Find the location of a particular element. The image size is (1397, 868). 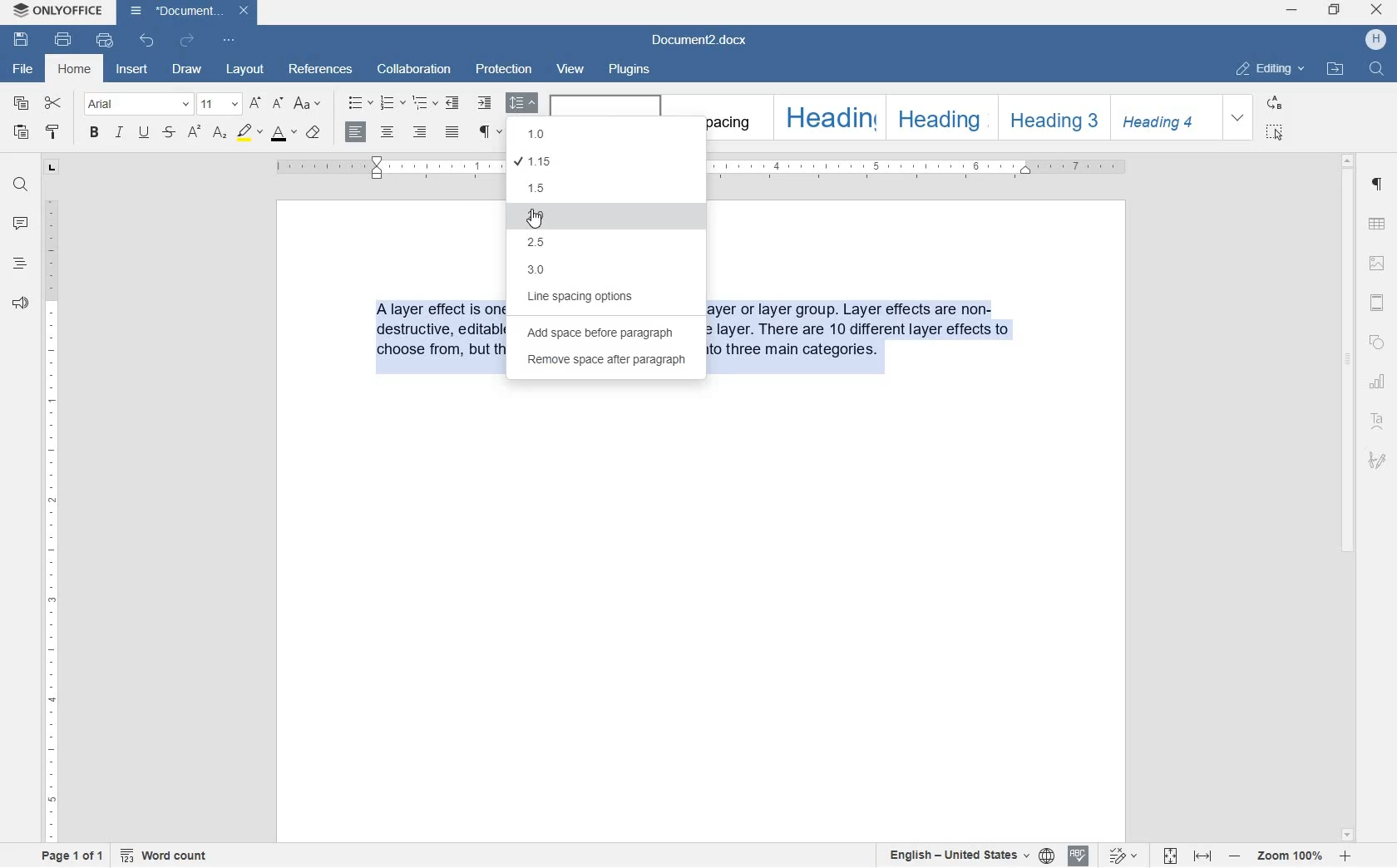

bold is located at coordinates (96, 133).